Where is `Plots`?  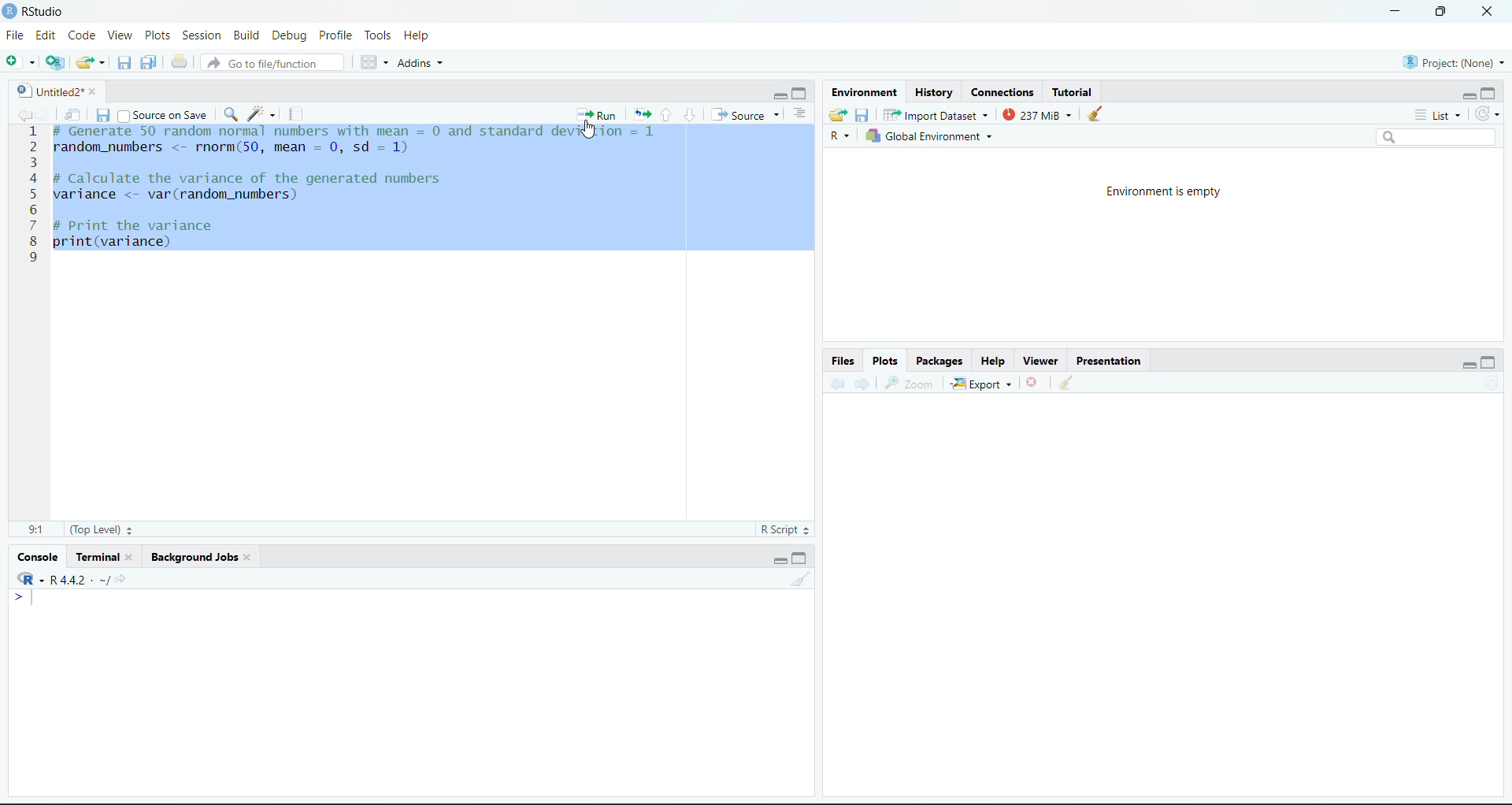 Plots is located at coordinates (157, 35).